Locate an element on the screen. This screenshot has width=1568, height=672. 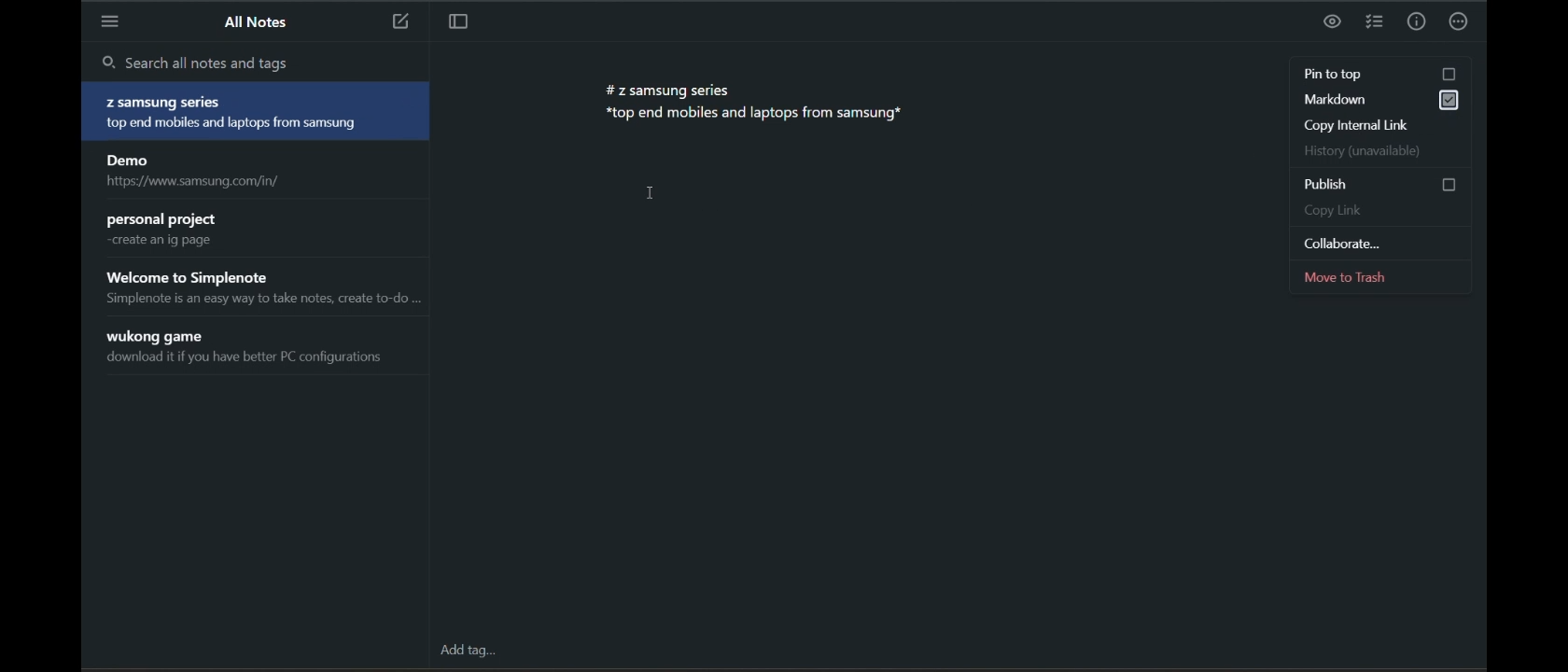
history (unavailable) is located at coordinates (1378, 151).